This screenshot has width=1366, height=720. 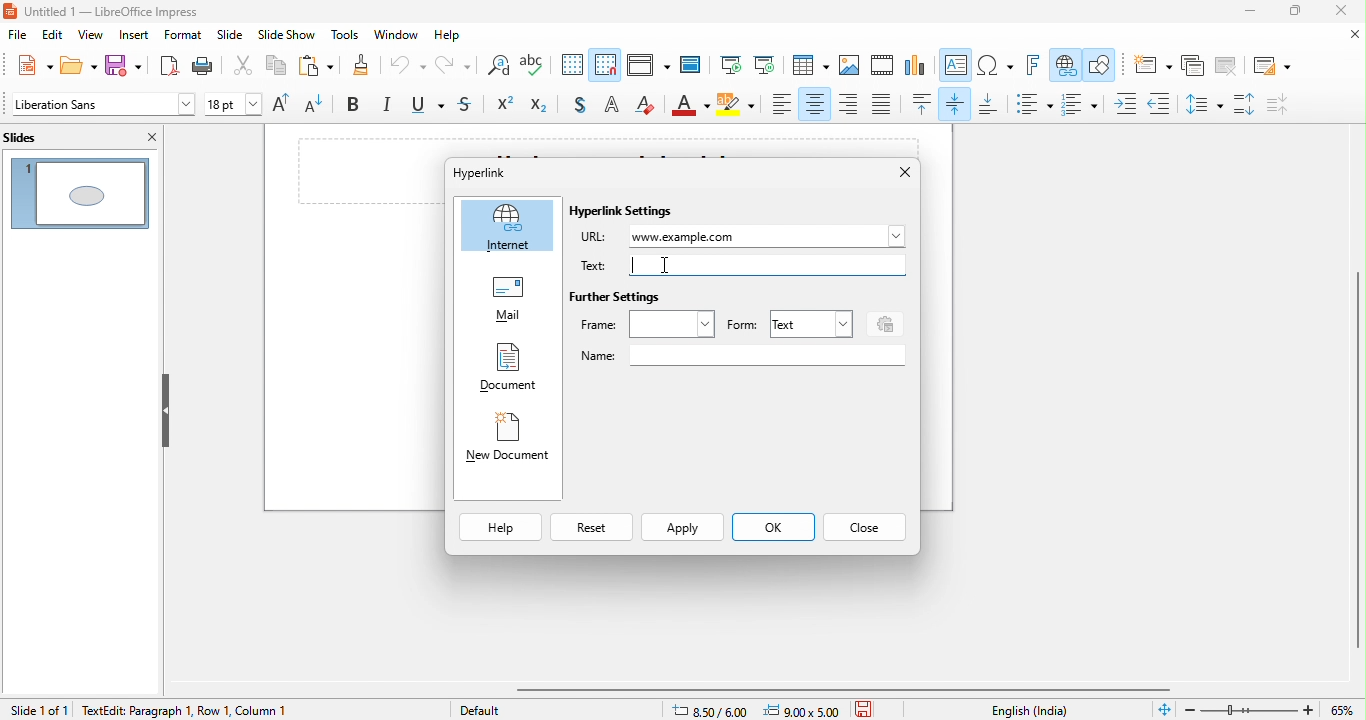 I want to click on image, so click(x=850, y=66).